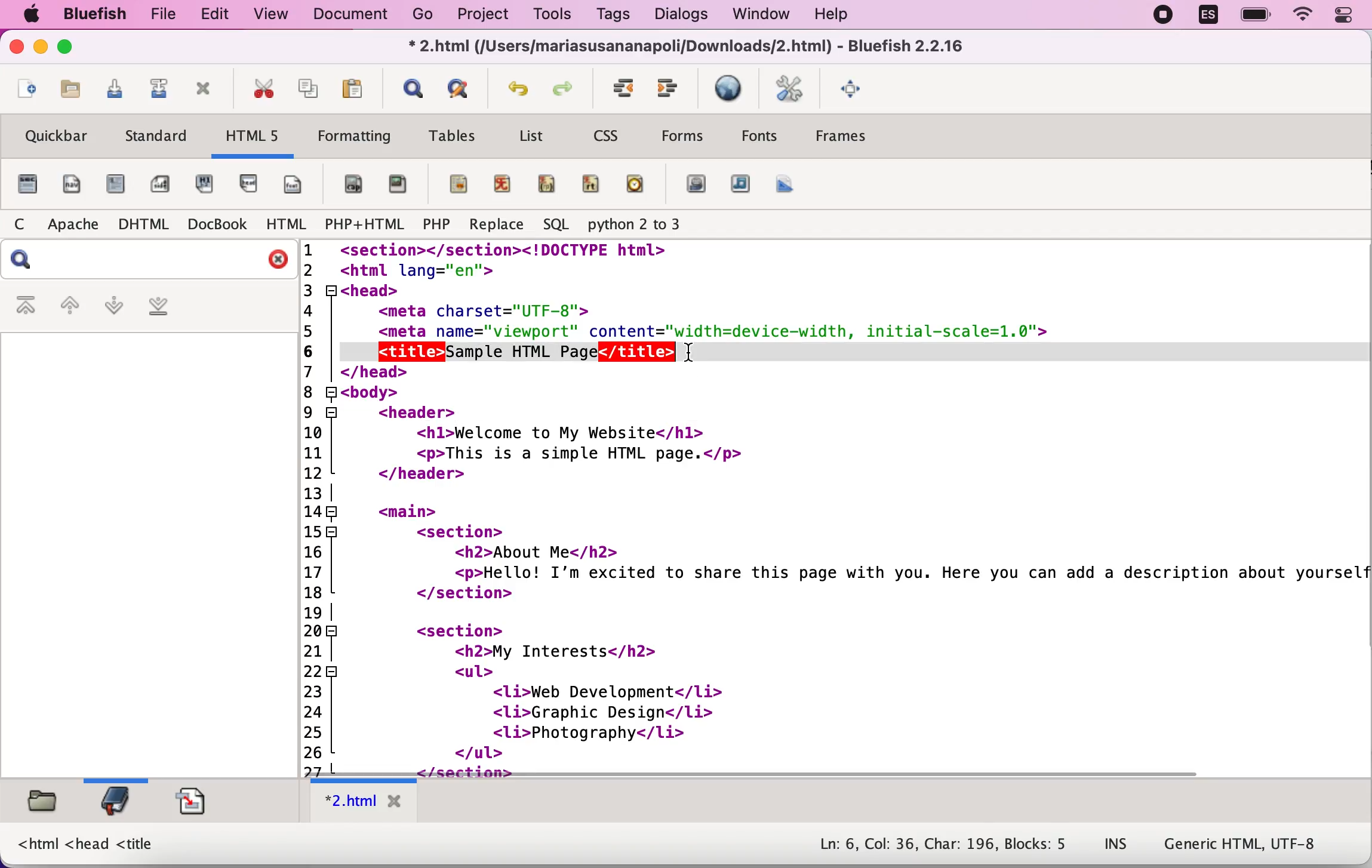 The image size is (1372, 868). What do you see at coordinates (760, 14) in the screenshot?
I see `window` at bounding box center [760, 14].